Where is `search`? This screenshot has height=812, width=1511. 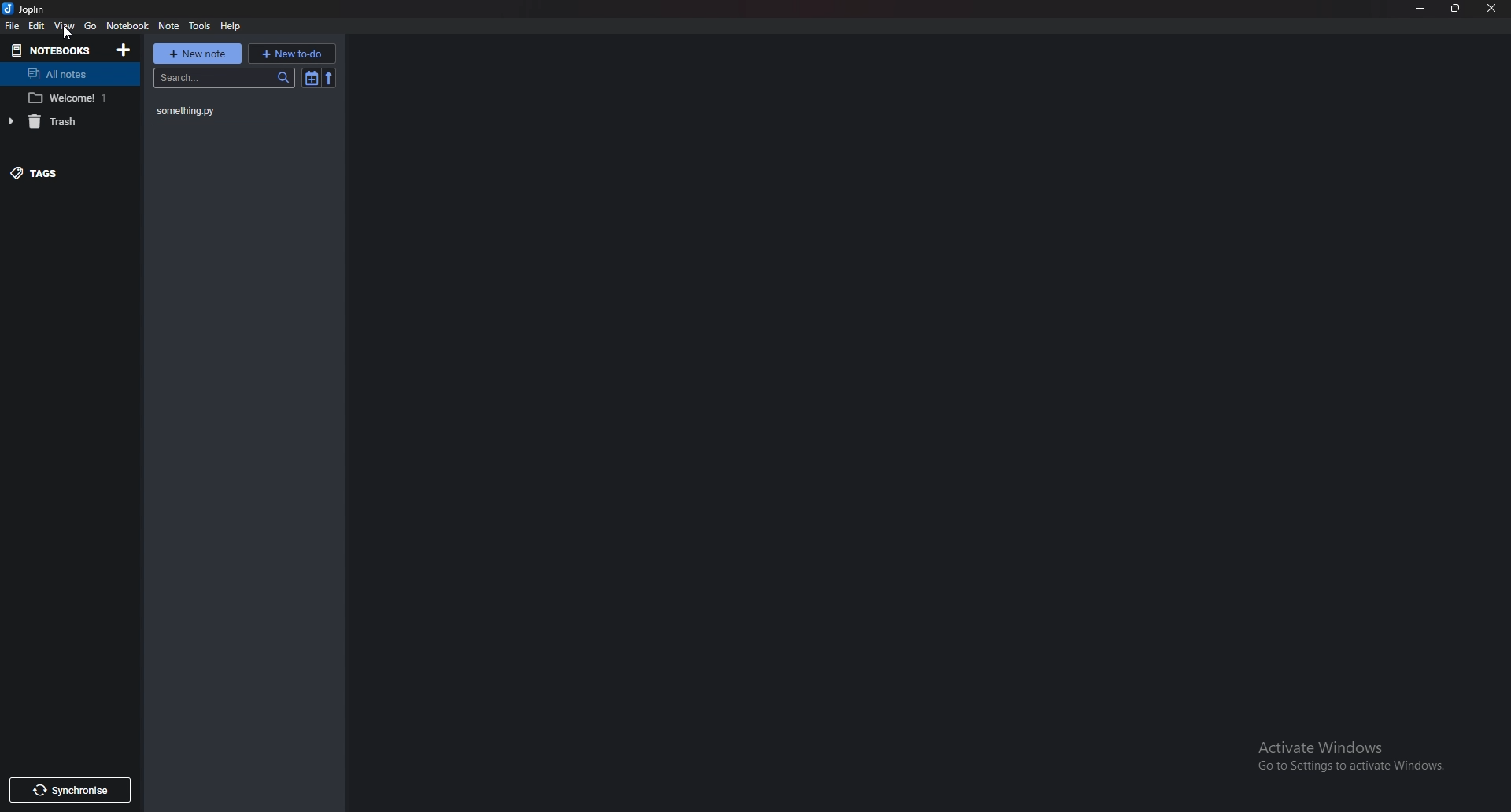 search is located at coordinates (224, 79).